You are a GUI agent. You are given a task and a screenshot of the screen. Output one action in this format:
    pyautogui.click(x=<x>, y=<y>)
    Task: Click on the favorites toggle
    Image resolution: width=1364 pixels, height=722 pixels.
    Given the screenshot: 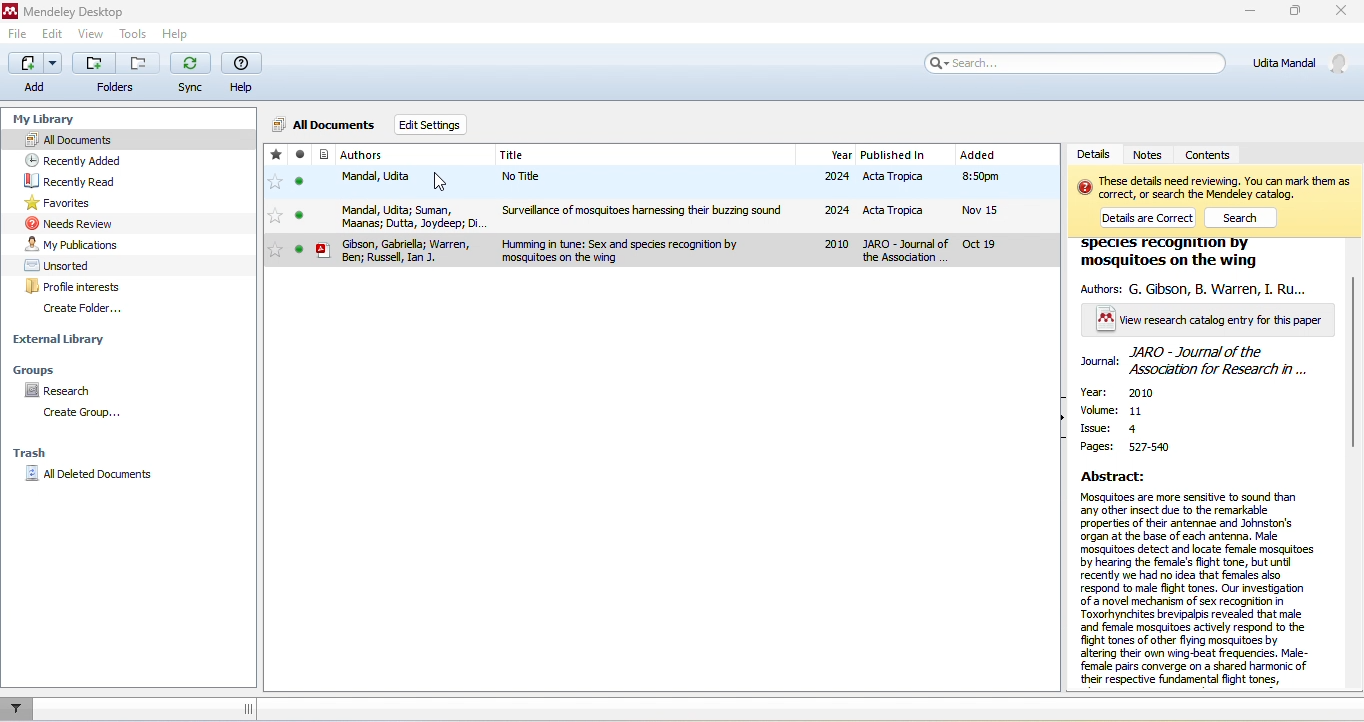 What is the action you would take?
    pyautogui.click(x=274, y=217)
    